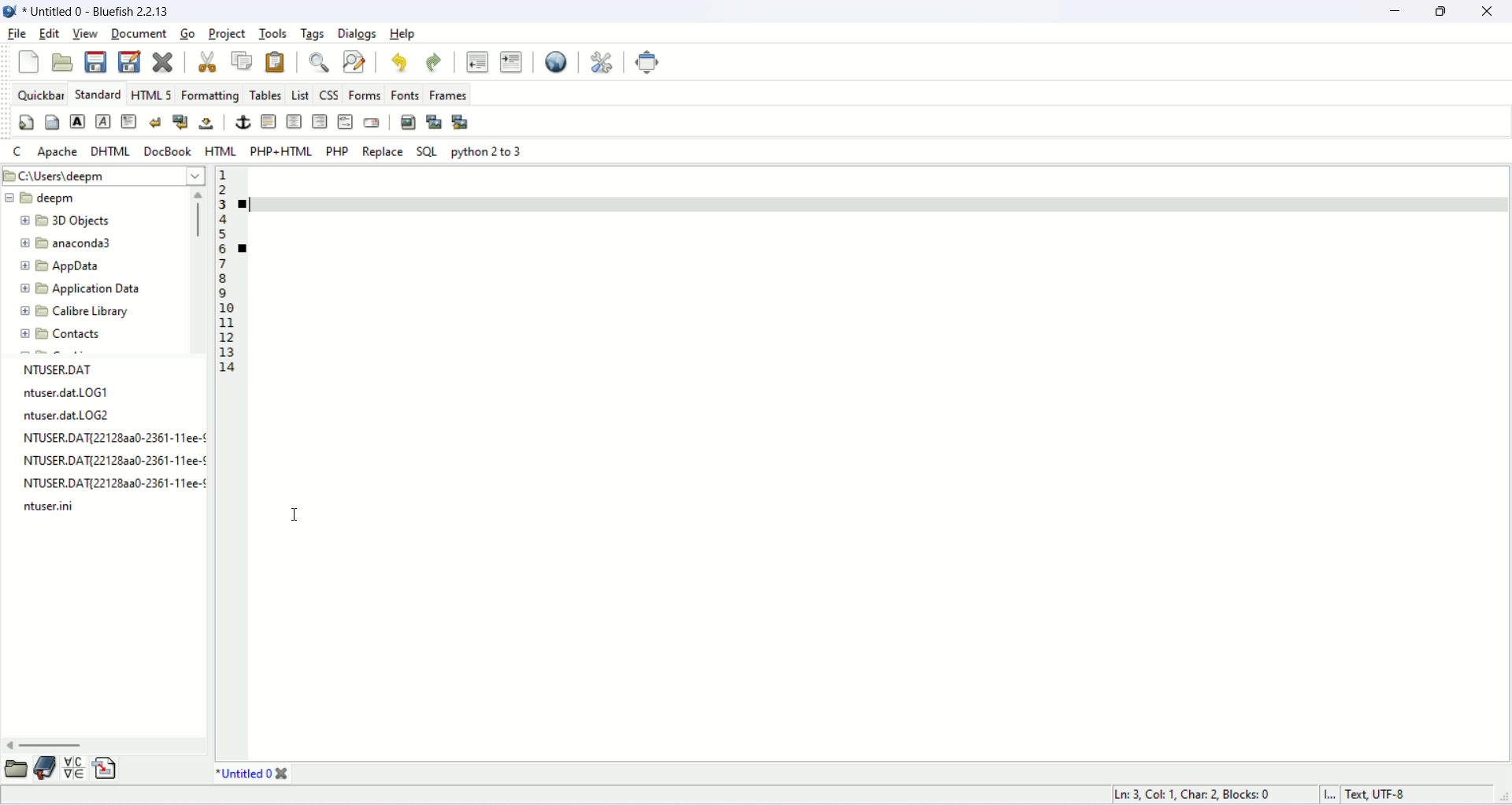 The image size is (1512, 805). I want to click on paste, so click(278, 61).